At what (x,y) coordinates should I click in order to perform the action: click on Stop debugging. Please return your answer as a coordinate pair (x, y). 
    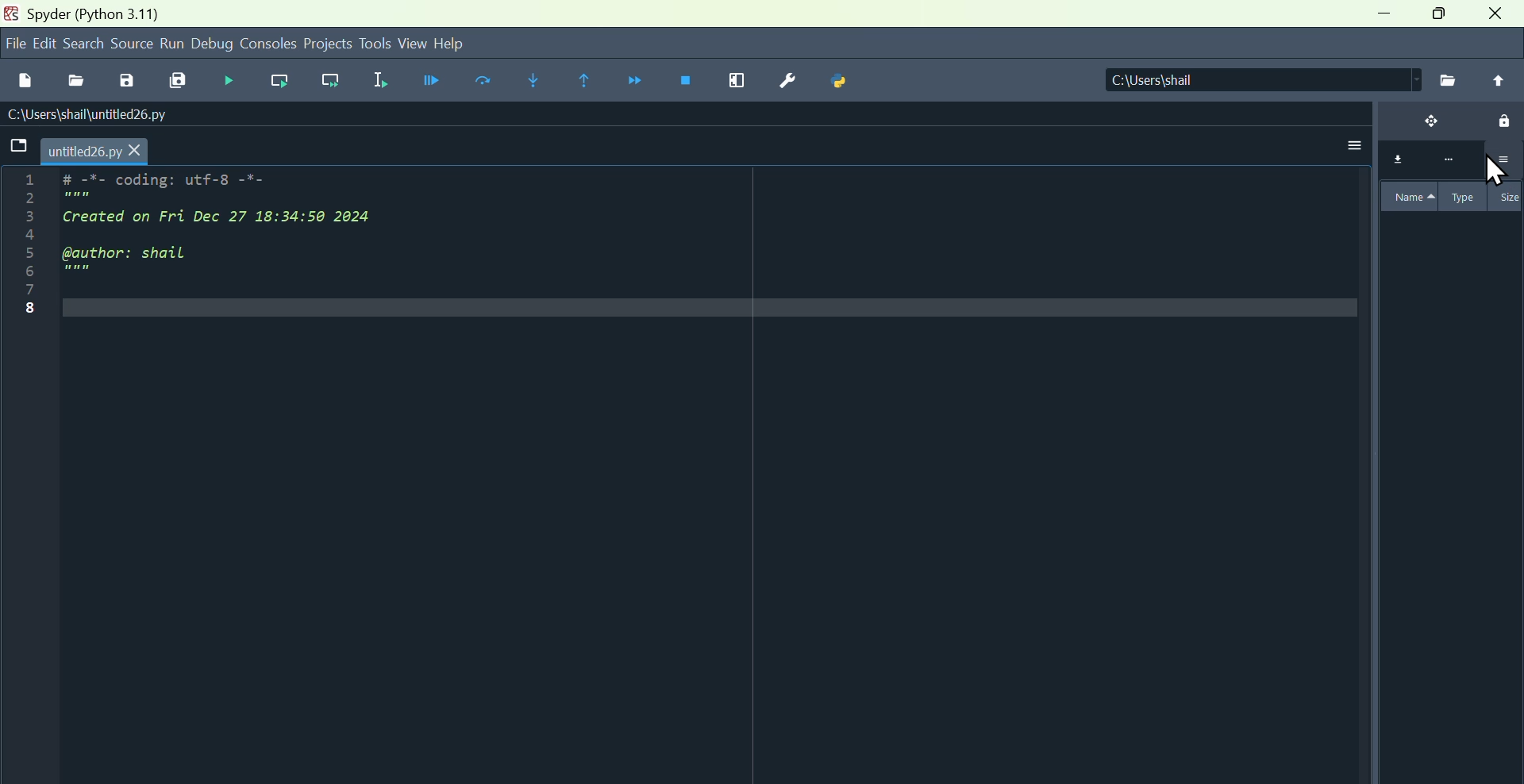
    Looking at the image, I should click on (689, 83).